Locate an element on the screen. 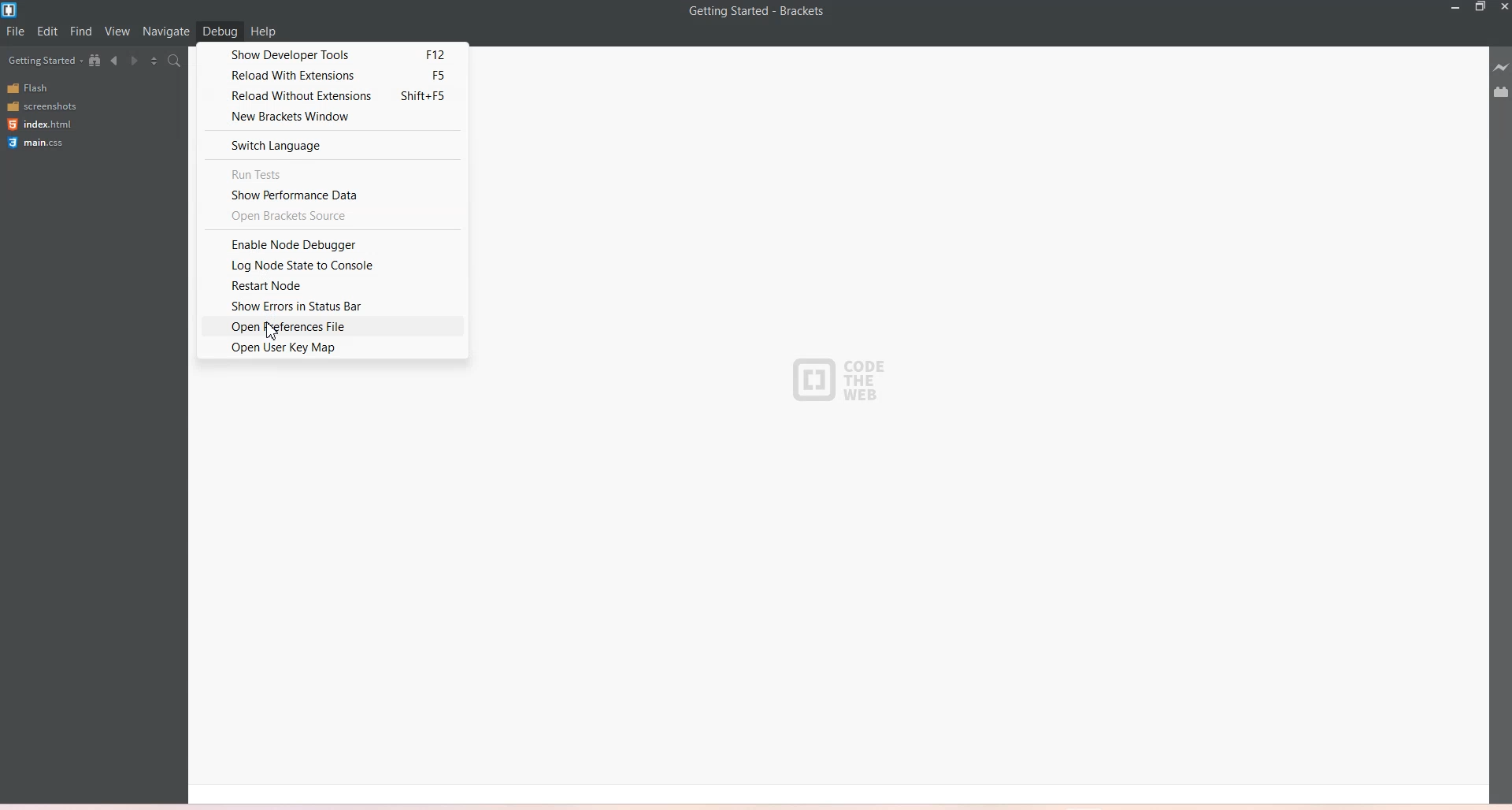 Image resolution: width=1512 pixels, height=810 pixels. Navigate Forwards is located at coordinates (137, 61).